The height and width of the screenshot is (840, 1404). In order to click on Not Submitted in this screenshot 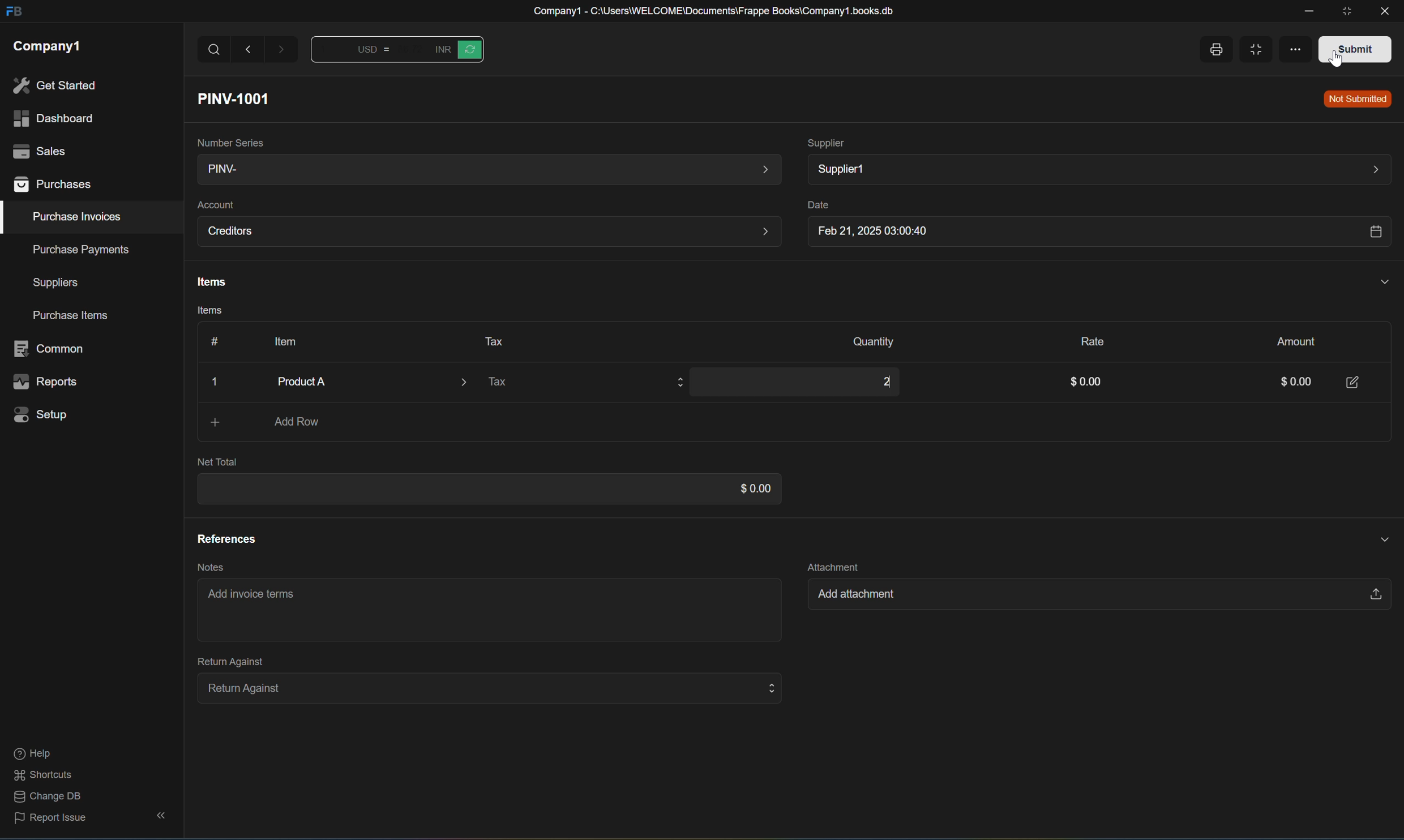, I will do `click(1356, 98)`.